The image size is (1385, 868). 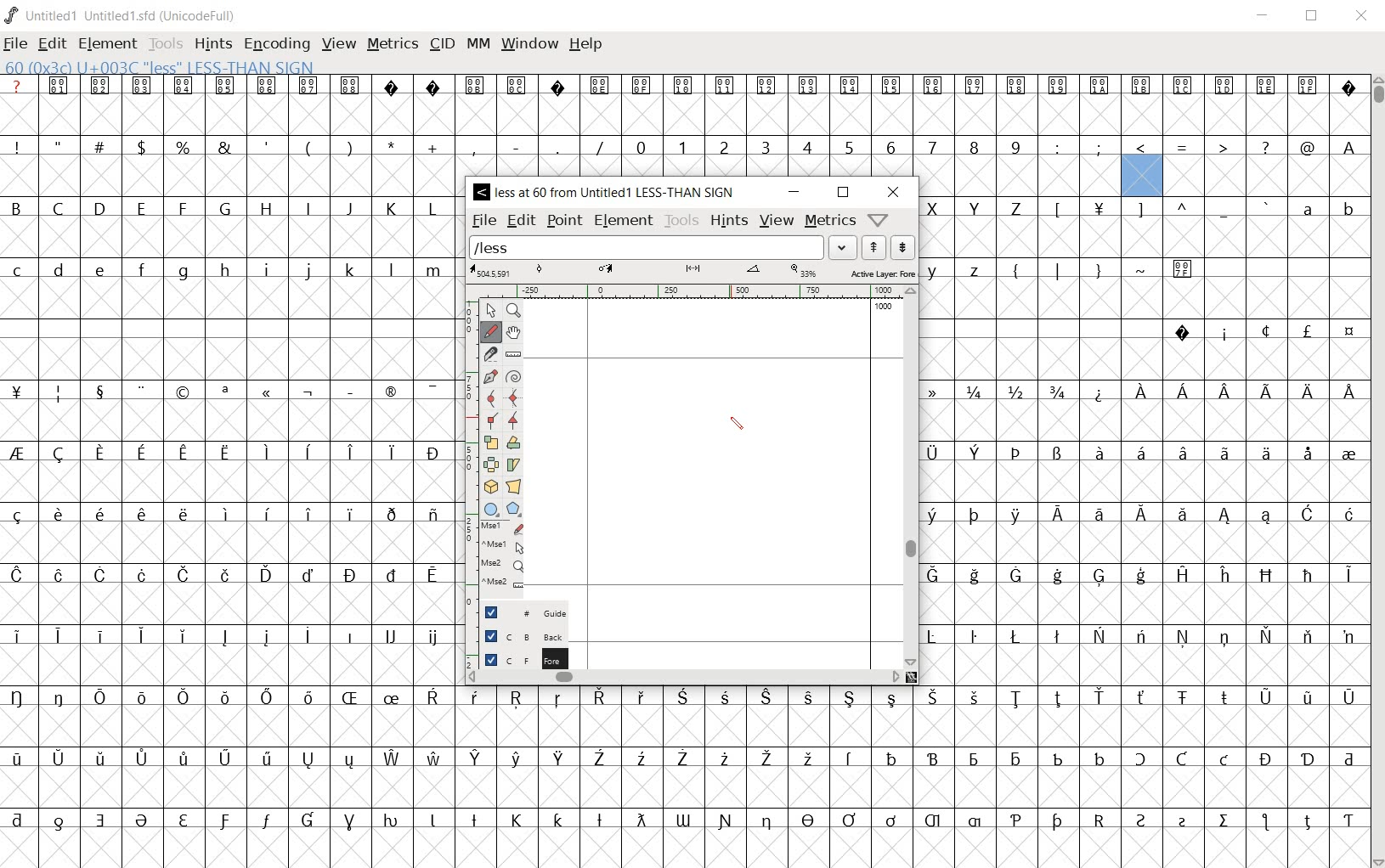 What do you see at coordinates (514, 420) in the screenshot?
I see `Add a corner point` at bounding box center [514, 420].